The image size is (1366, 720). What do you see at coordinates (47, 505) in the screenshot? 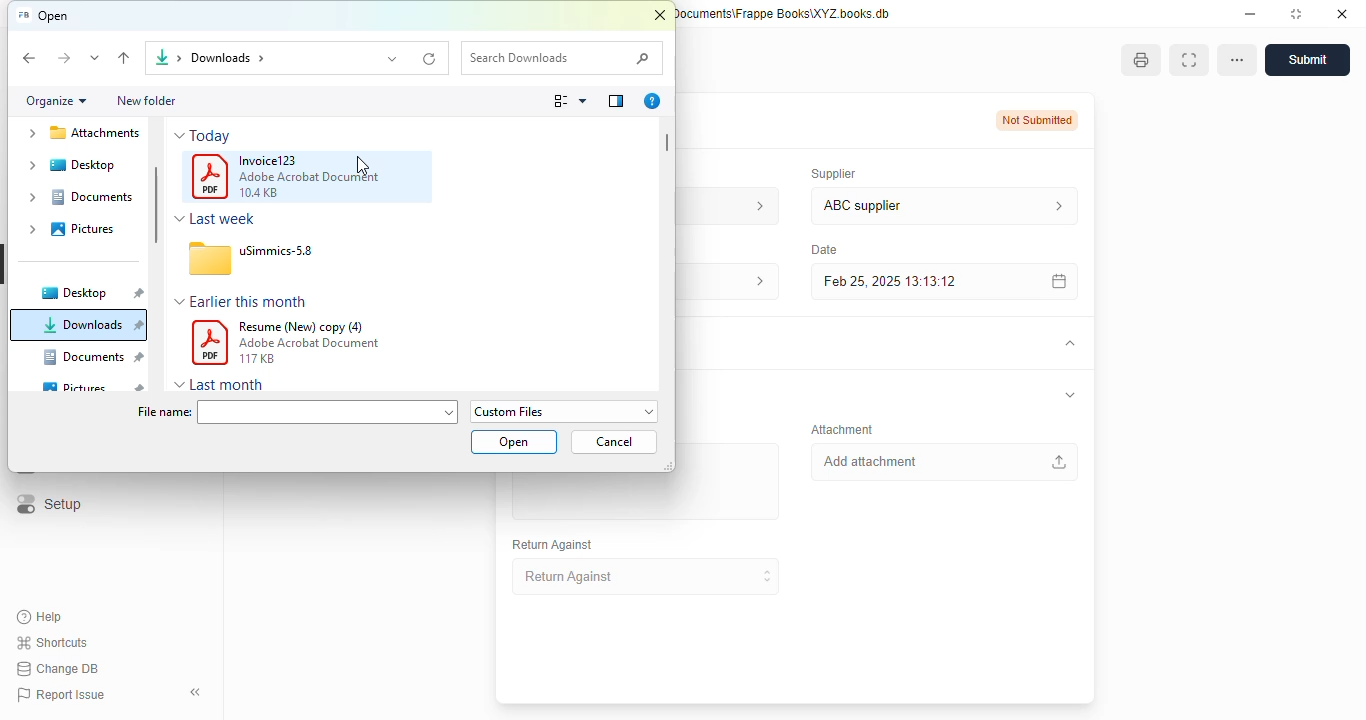
I see `setup` at bounding box center [47, 505].